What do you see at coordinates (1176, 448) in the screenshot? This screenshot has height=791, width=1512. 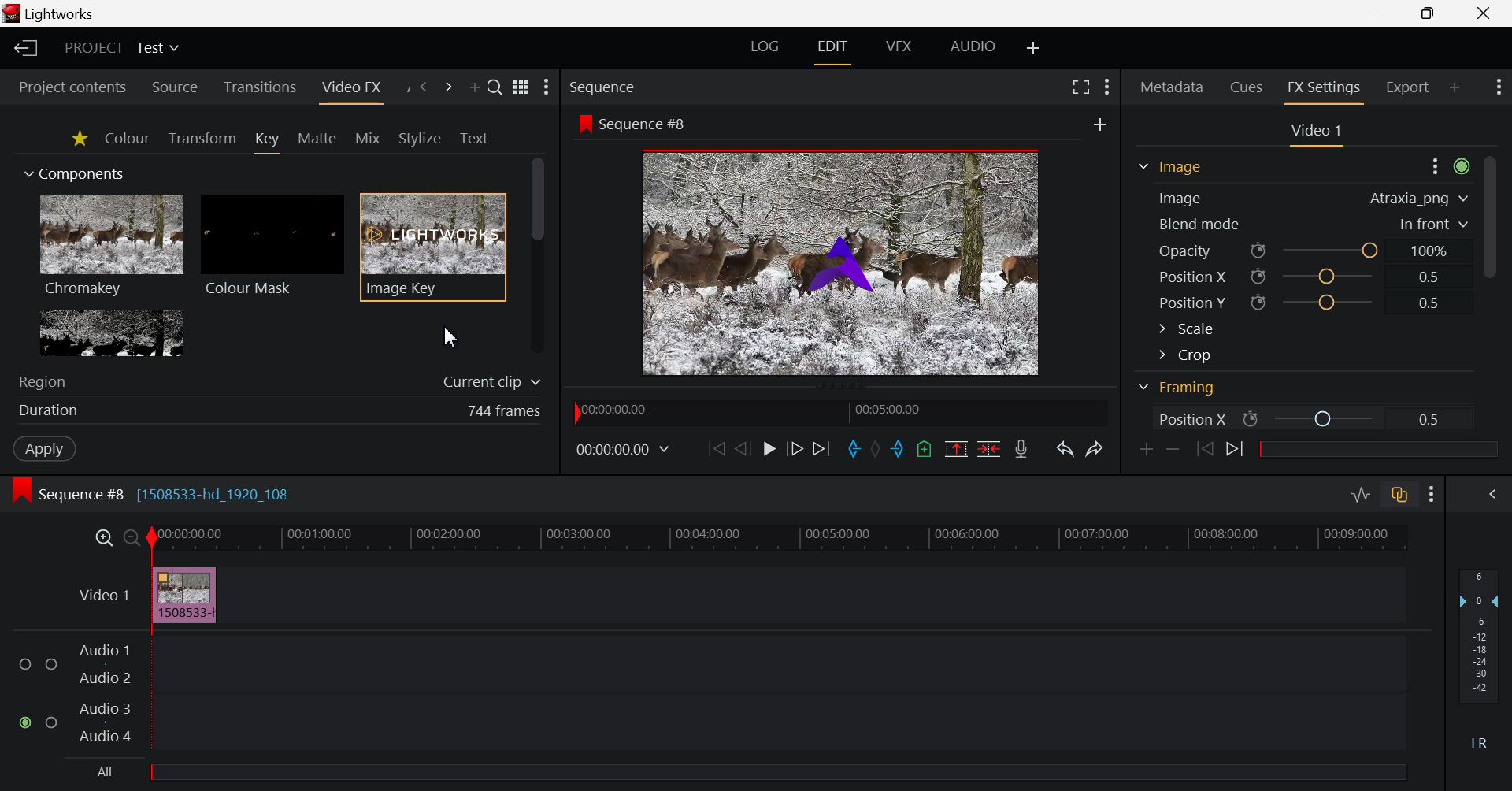 I see `Remove keyframe` at bounding box center [1176, 448].